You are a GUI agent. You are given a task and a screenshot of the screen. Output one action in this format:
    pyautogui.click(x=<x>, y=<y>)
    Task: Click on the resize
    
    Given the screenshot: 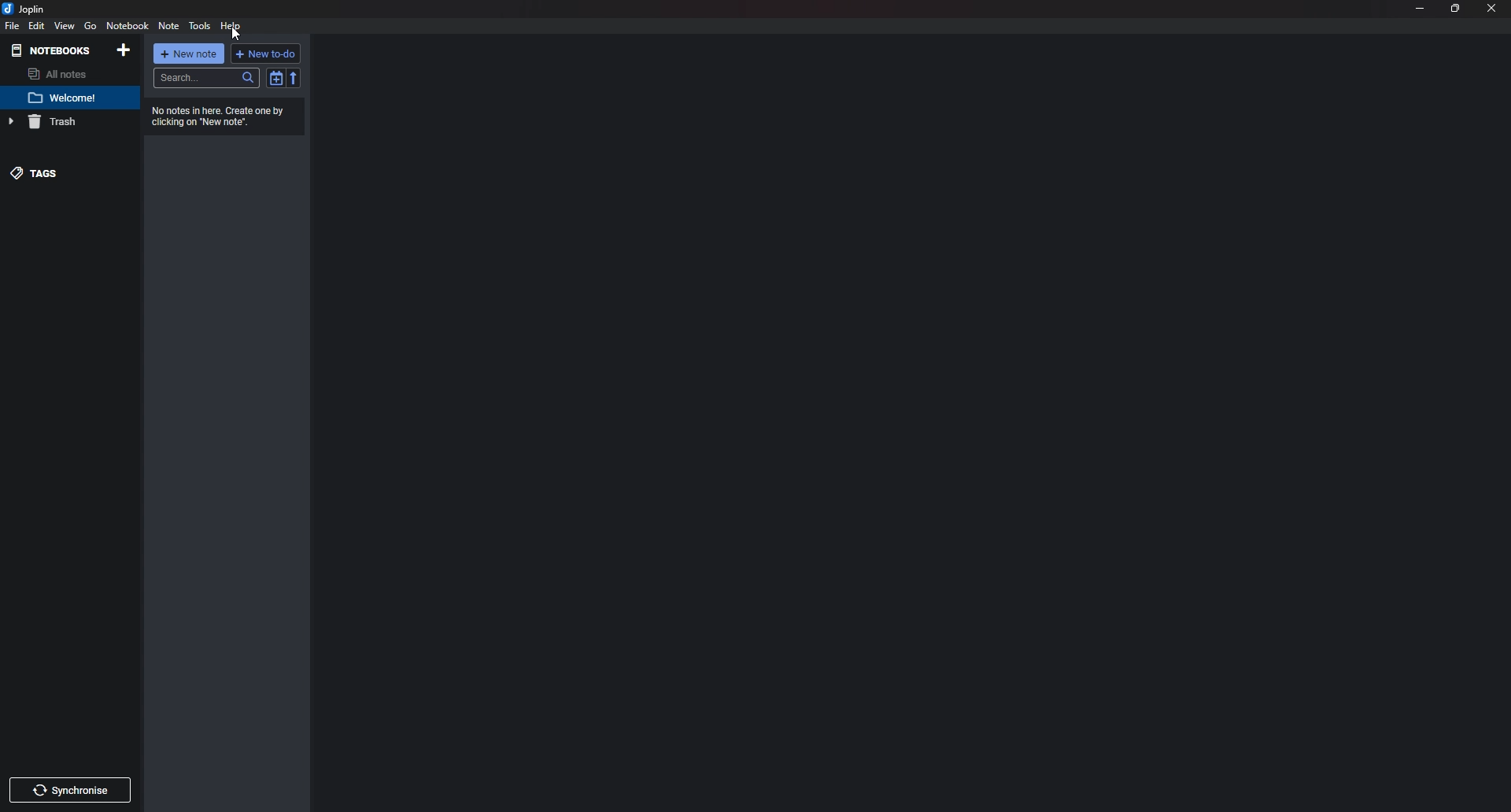 What is the action you would take?
    pyautogui.click(x=1457, y=8)
    